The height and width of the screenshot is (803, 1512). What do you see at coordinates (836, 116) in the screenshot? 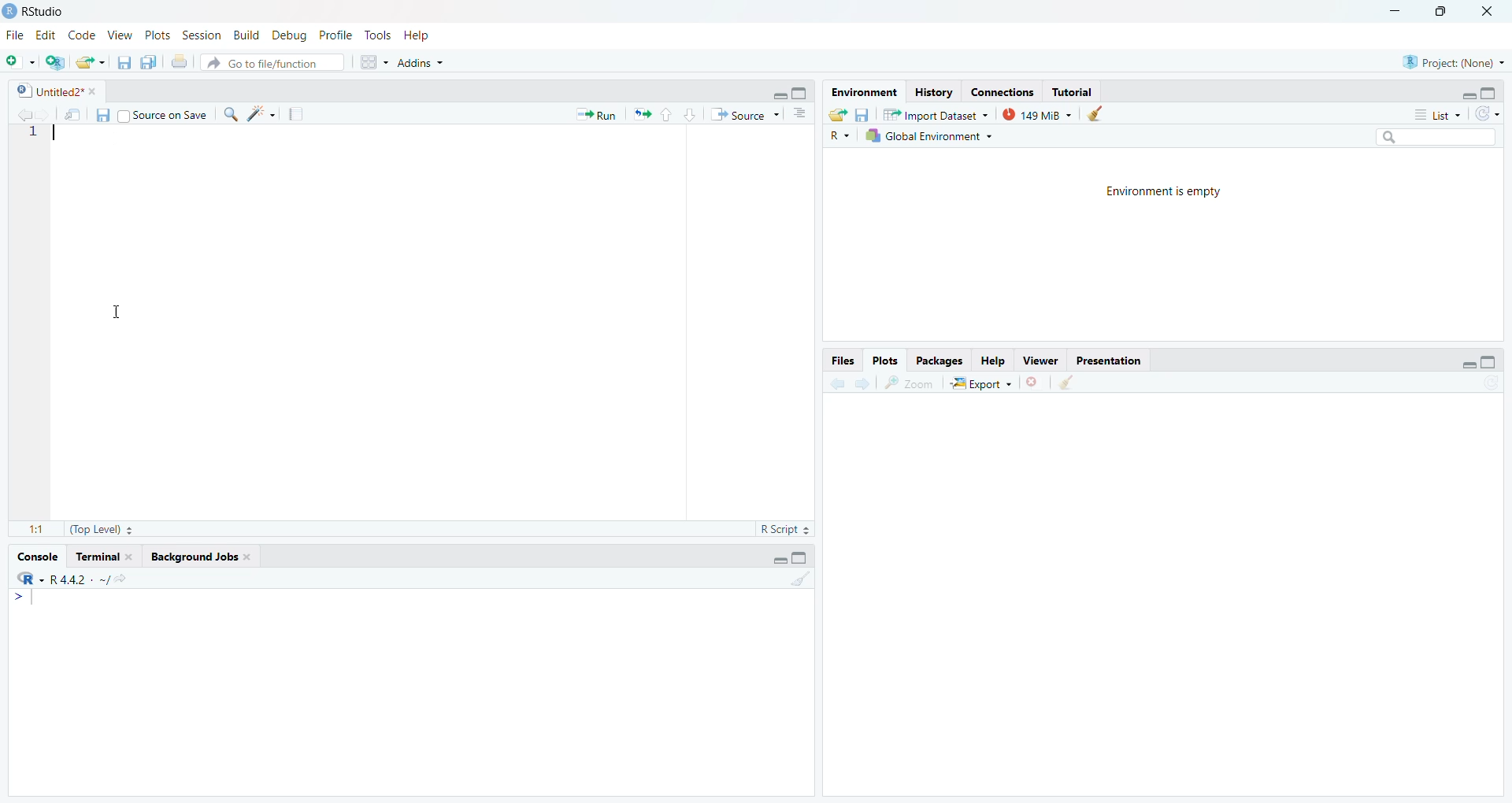
I see `Load workspace` at bounding box center [836, 116].